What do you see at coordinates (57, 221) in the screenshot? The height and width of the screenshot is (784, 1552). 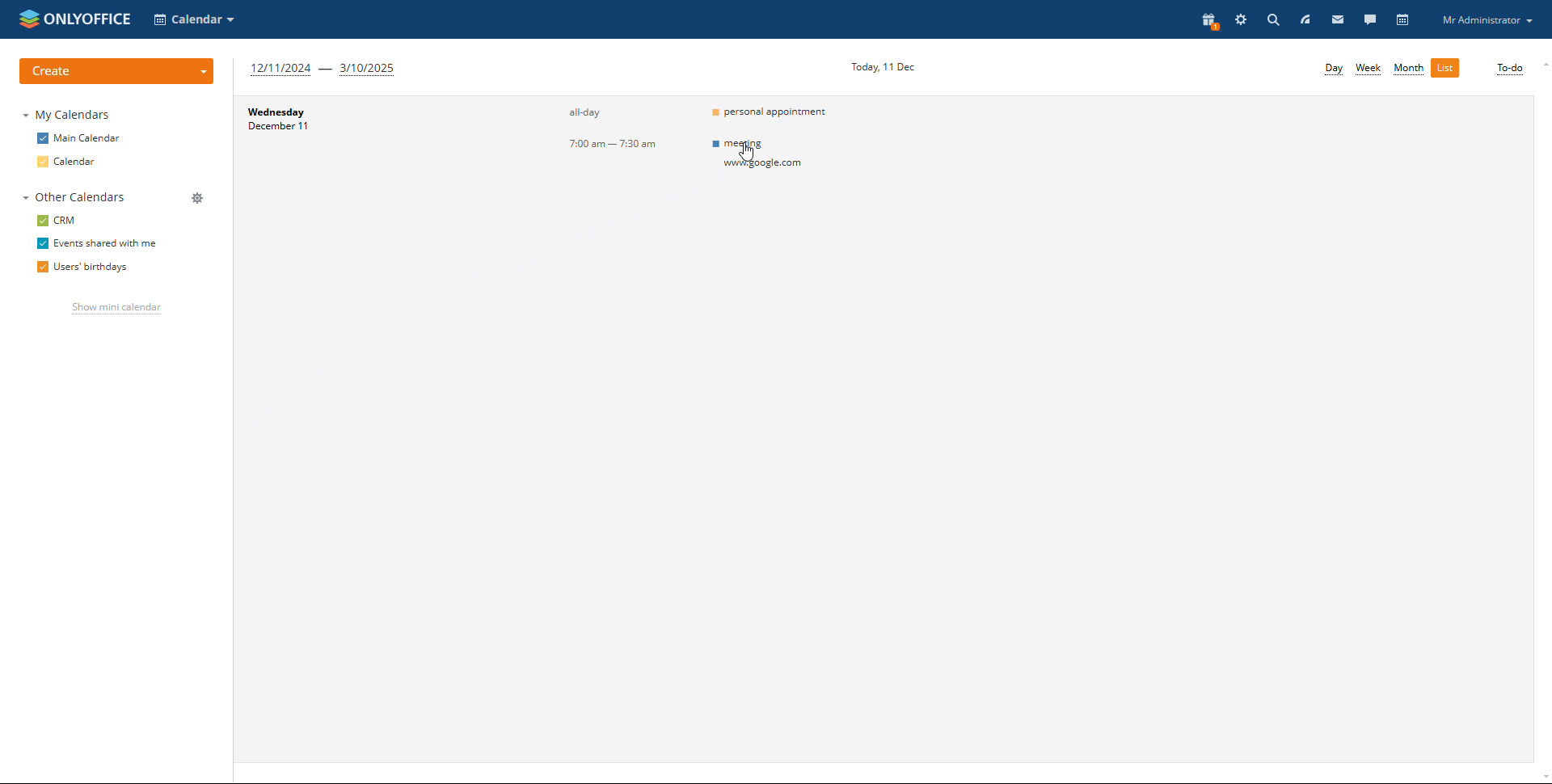 I see `crm` at bounding box center [57, 221].